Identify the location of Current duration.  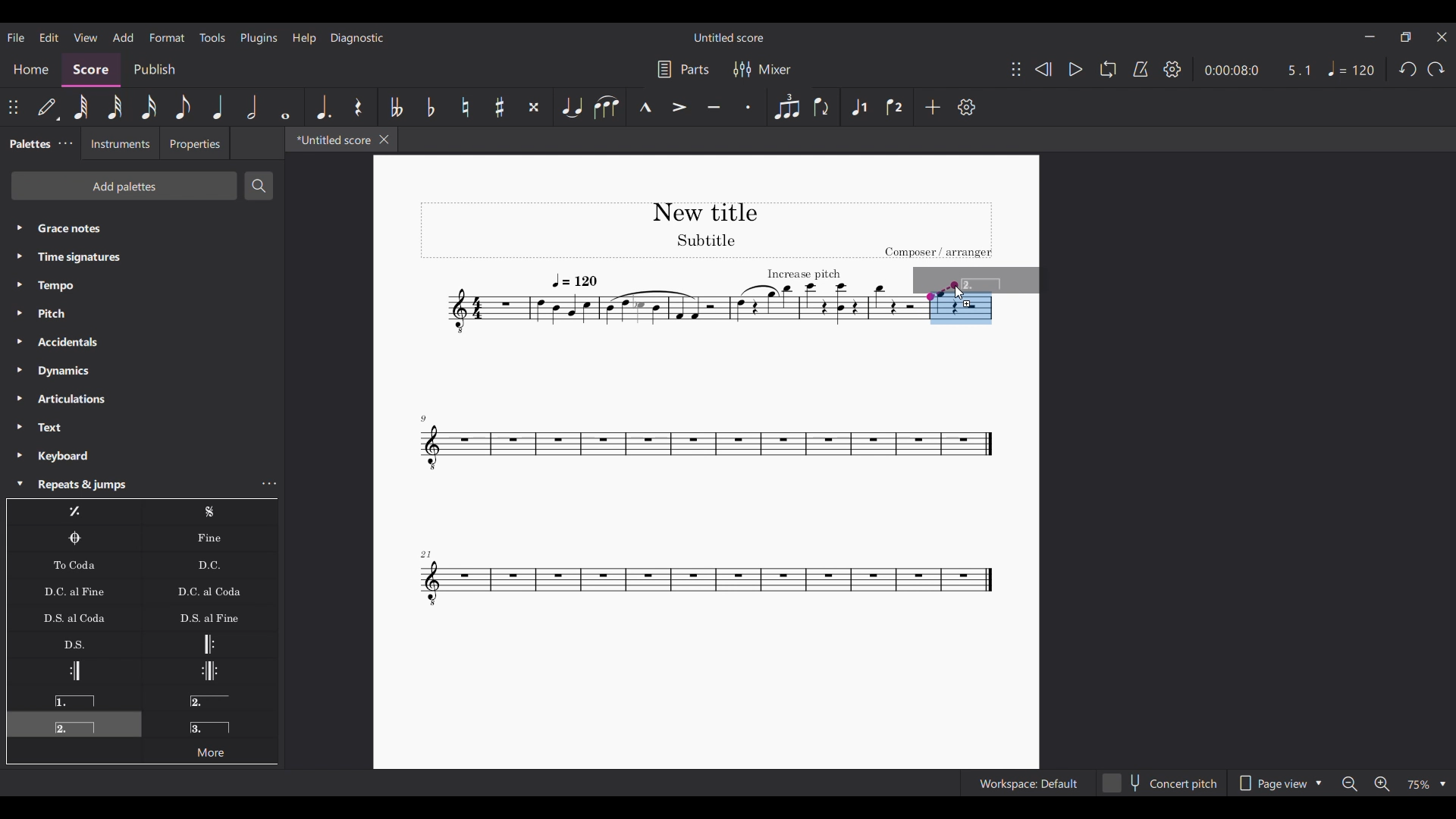
(1231, 71).